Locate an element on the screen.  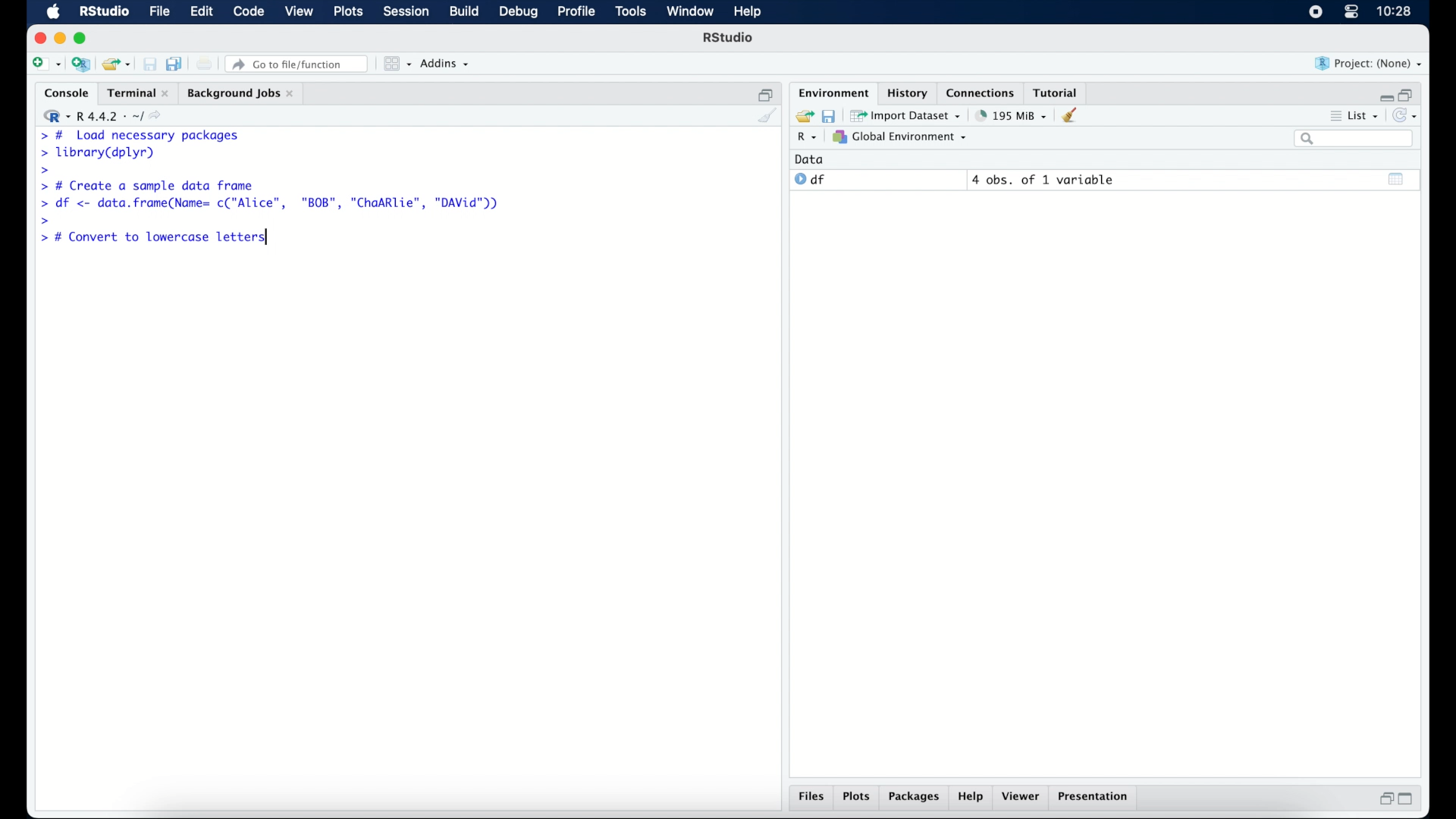
close is located at coordinates (40, 38).